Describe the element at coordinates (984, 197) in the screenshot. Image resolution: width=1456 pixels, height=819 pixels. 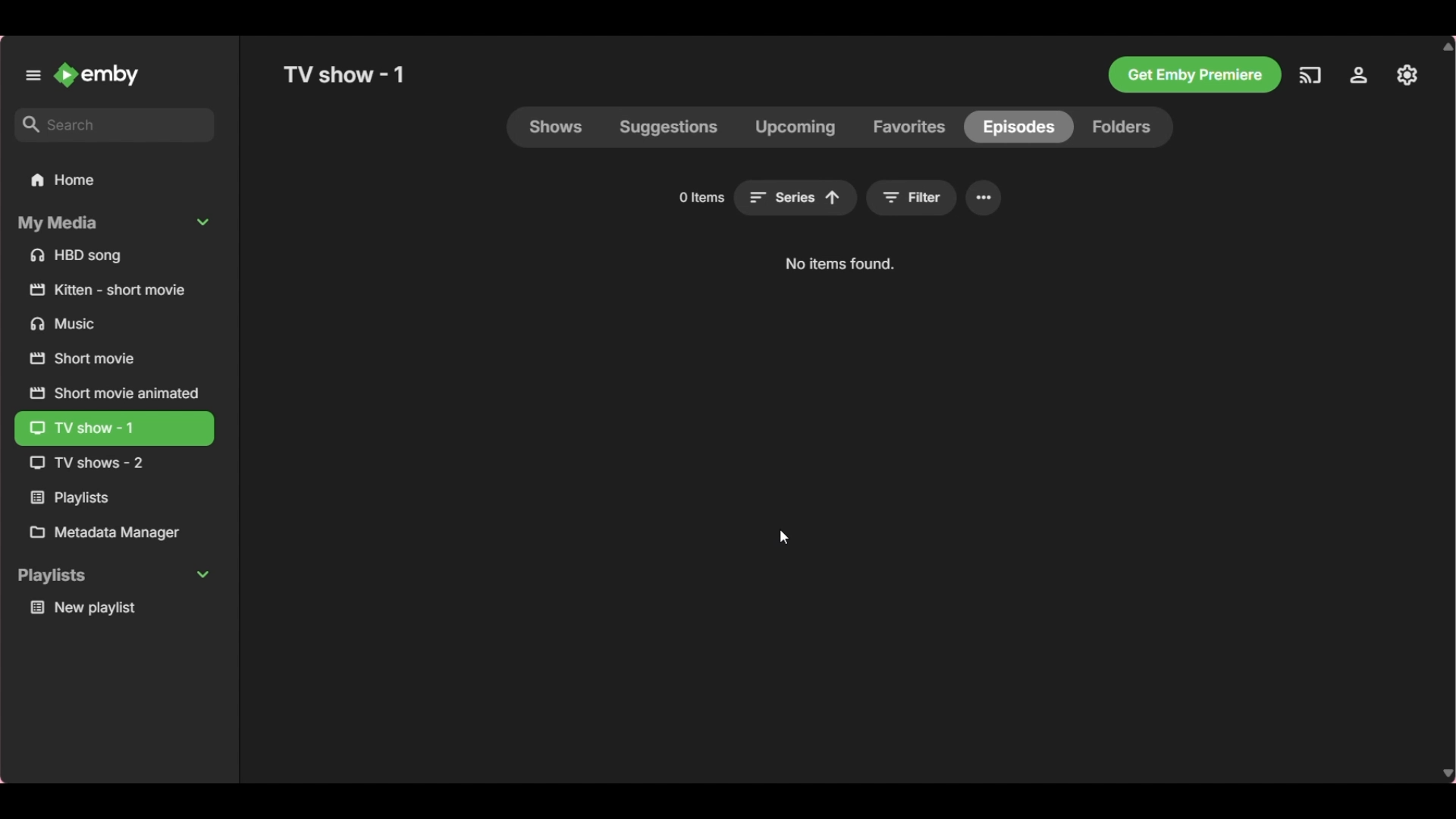
I see `More settings` at that location.